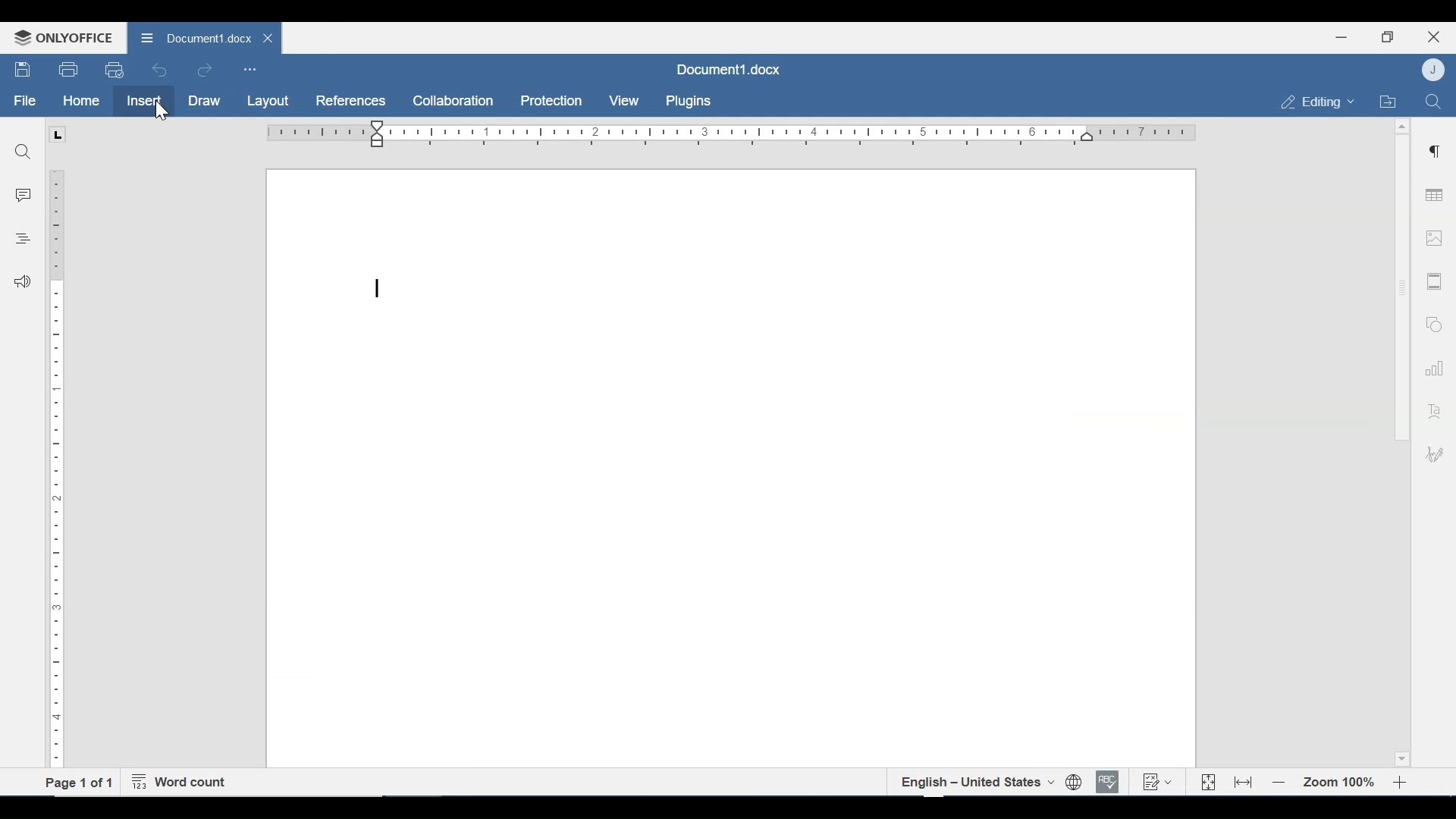  I want to click on Feedback and Support, so click(22, 283).